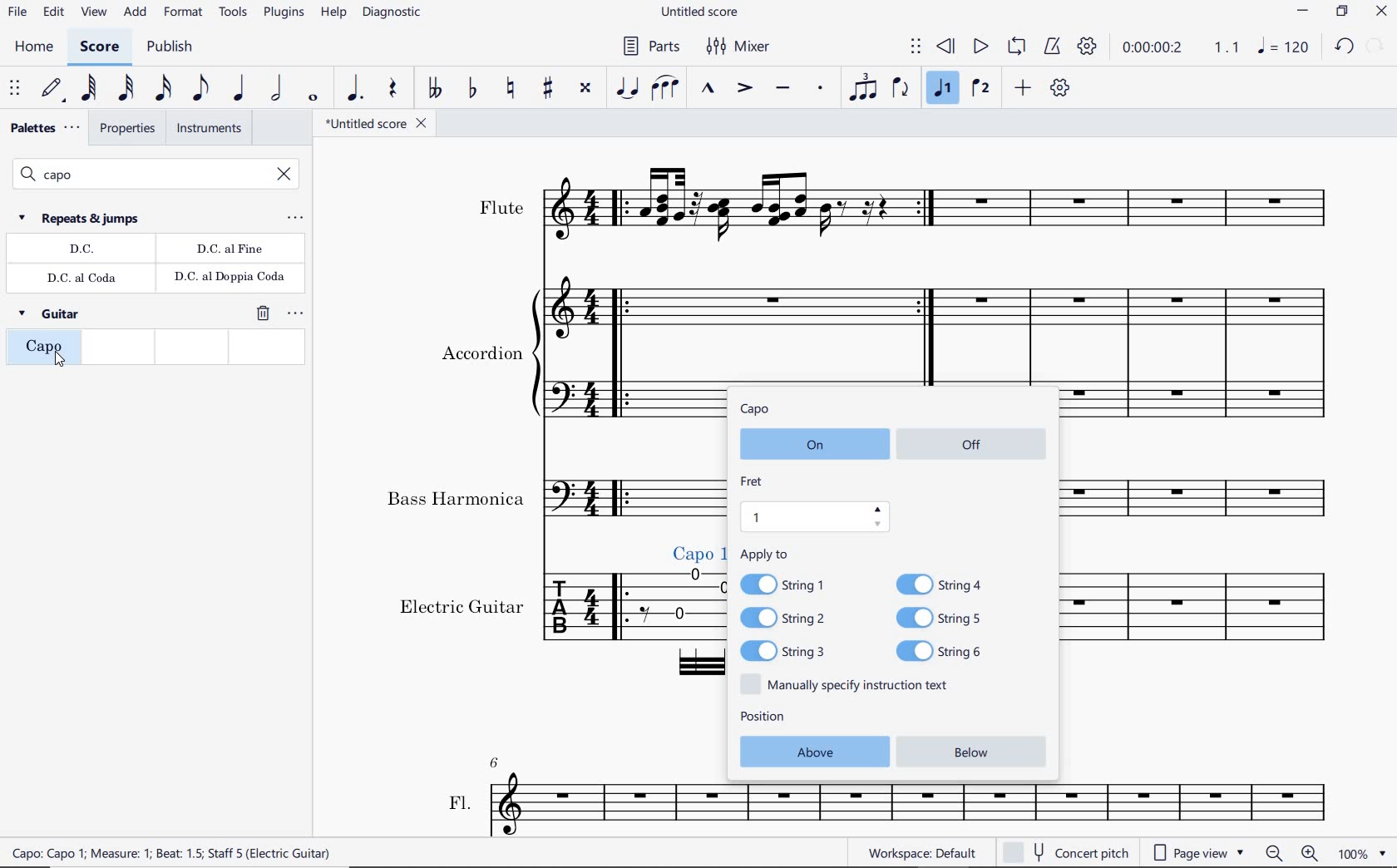  I want to click on String 1 toggle, so click(792, 583).